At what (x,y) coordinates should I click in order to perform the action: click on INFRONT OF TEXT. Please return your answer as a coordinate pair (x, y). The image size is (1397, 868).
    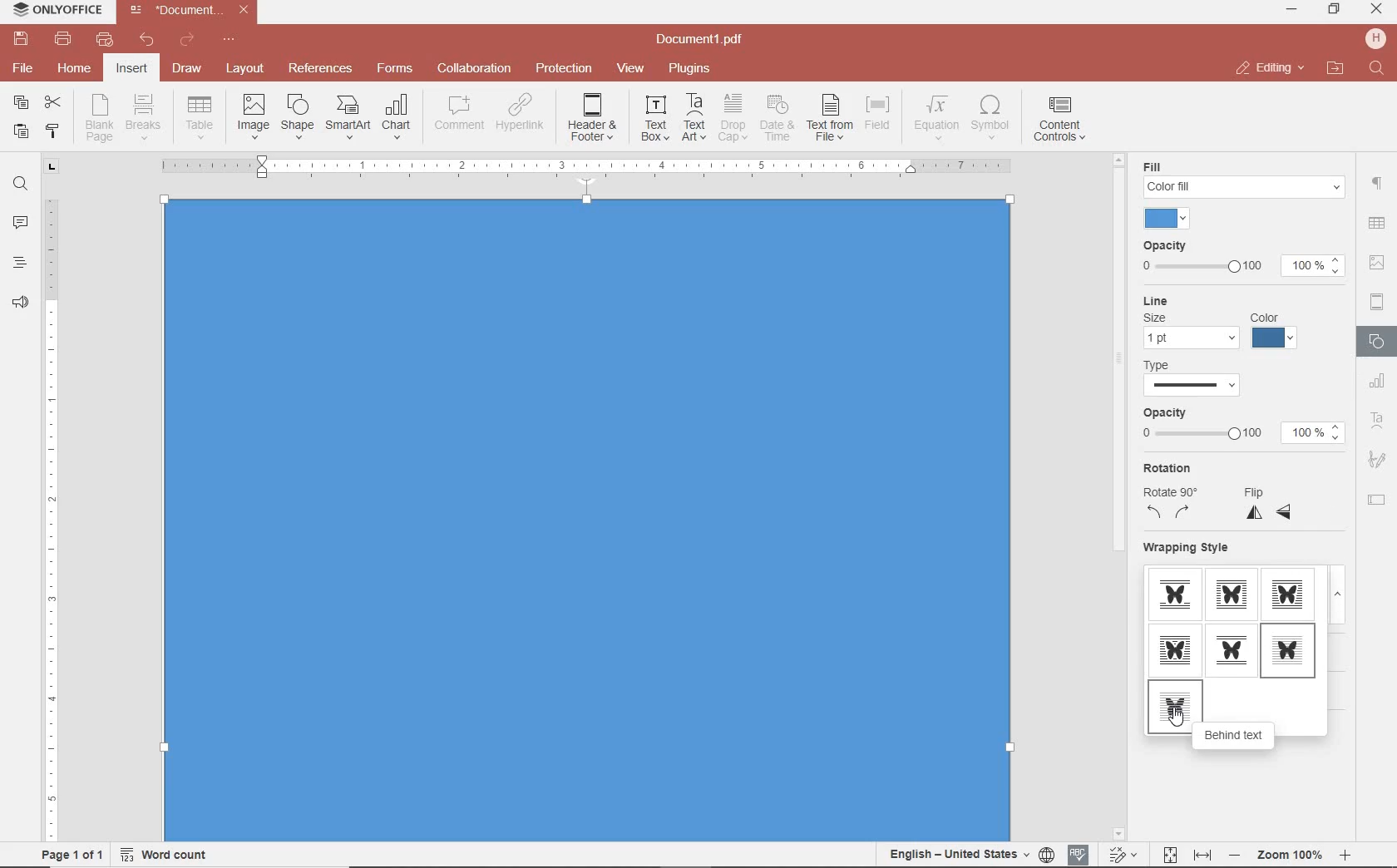
    Looking at the image, I should click on (1286, 648).